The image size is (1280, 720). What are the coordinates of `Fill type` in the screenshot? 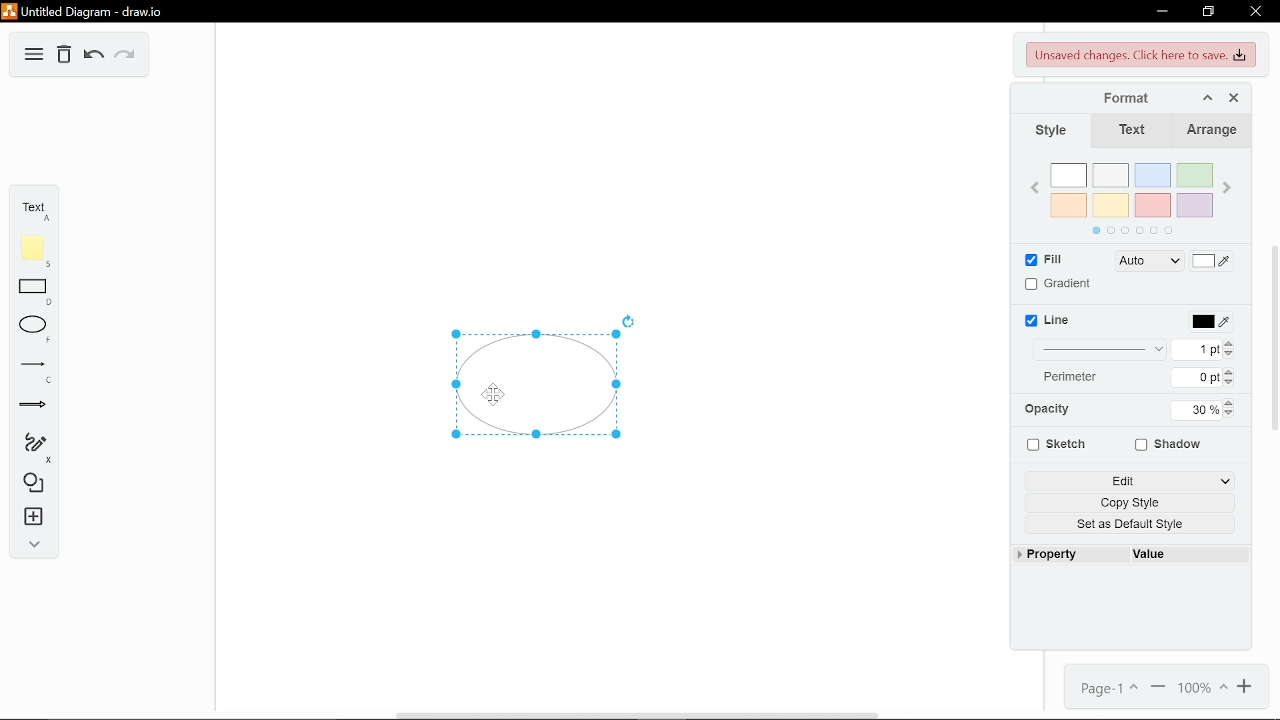 It's located at (1150, 261).